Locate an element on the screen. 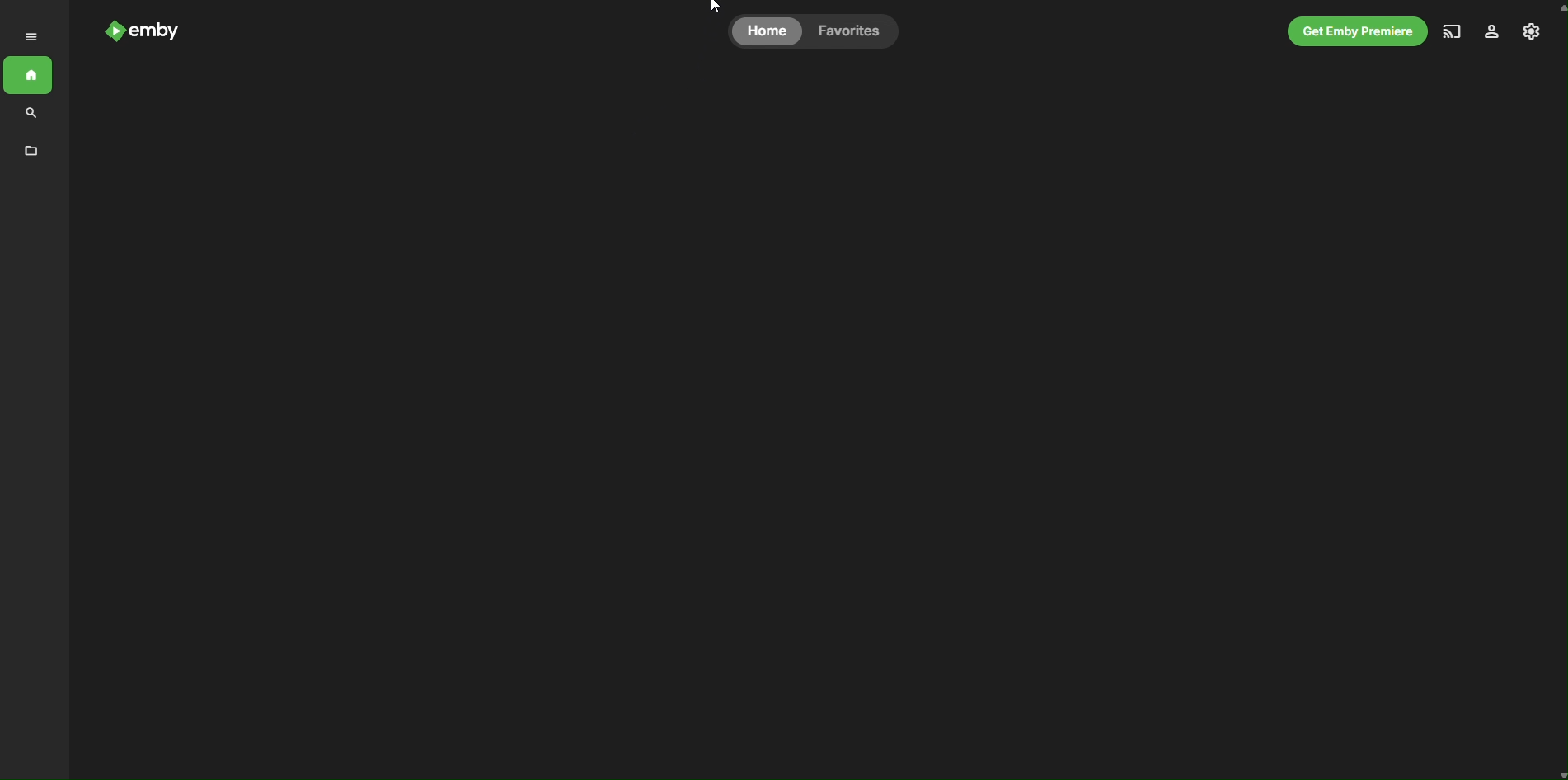 The width and height of the screenshot is (1568, 780). Menu is located at coordinates (31, 35).